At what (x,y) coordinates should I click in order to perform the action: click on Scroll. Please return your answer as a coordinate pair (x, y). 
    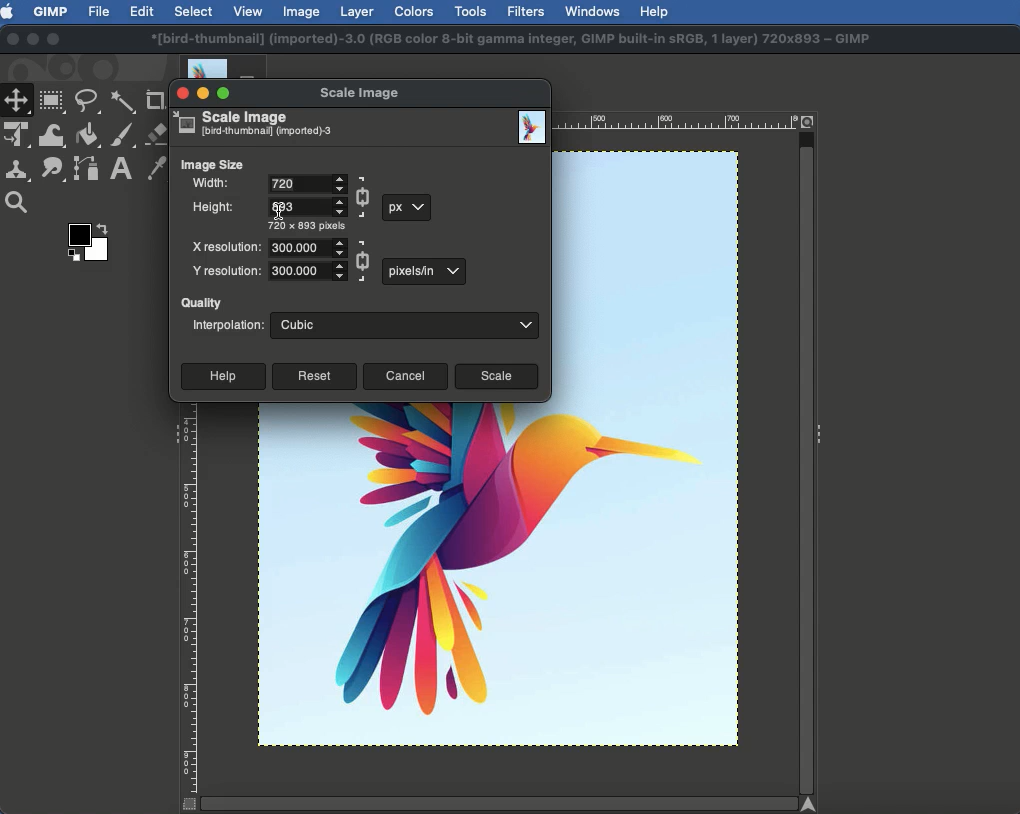
    Looking at the image, I should click on (808, 459).